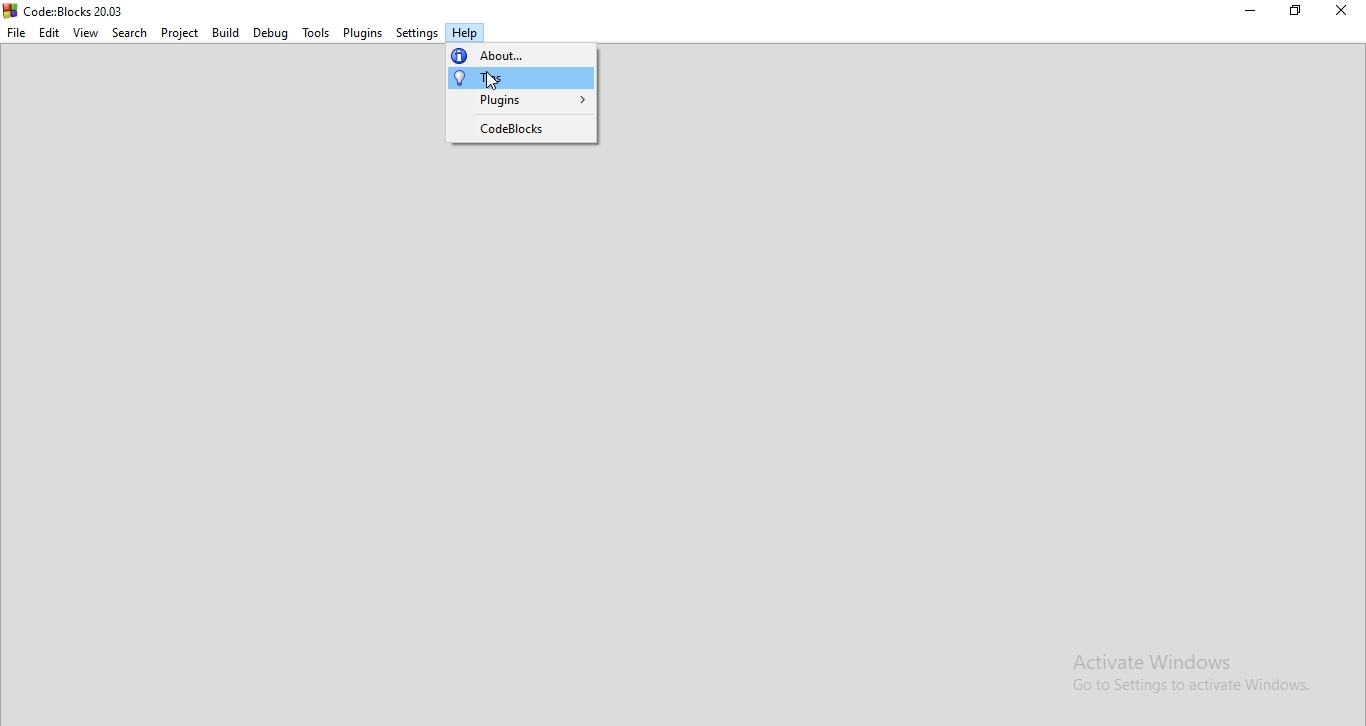 Image resolution: width=1366 pixels, height=726 pixels. What do you see at coordinates (419, 34) in the screenshot?
I see `Settings ` at bounding box center [419, 34].